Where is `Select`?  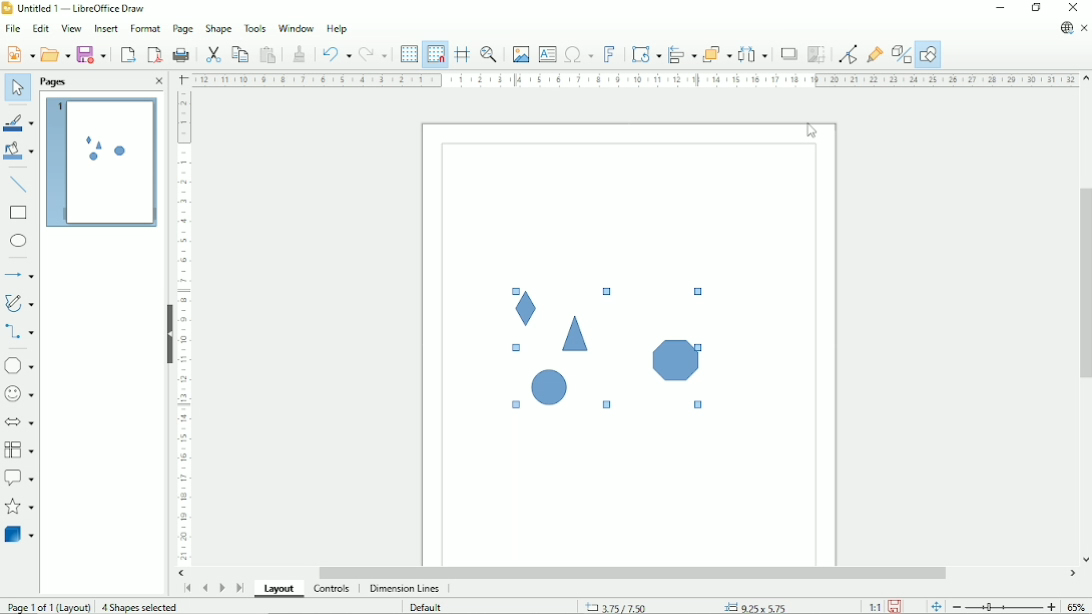 Select is located at coordinates (15, 87).